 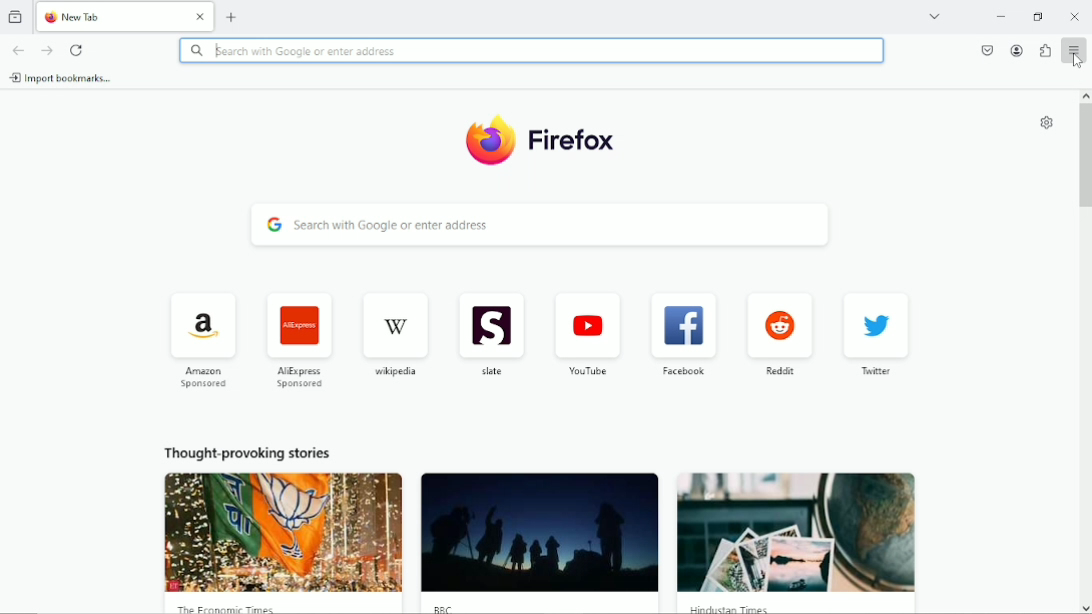 What do you see at coordinates (62, 77) in the screenshot?
I see `import bookmarks` at bounding box center [62, 77].